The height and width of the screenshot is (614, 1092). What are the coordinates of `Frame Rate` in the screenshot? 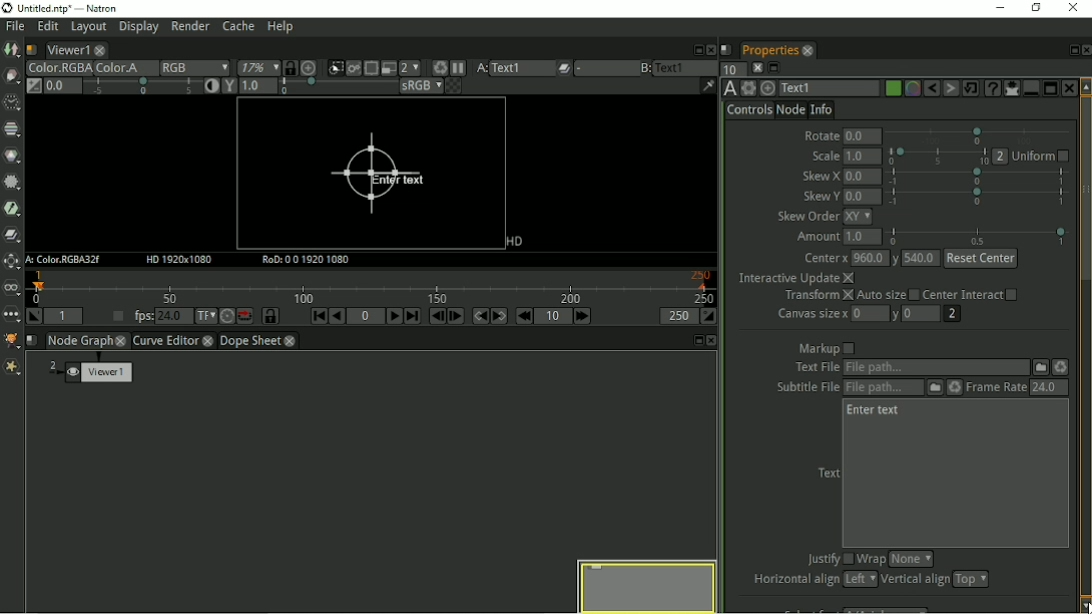 It's located at (996, 387).